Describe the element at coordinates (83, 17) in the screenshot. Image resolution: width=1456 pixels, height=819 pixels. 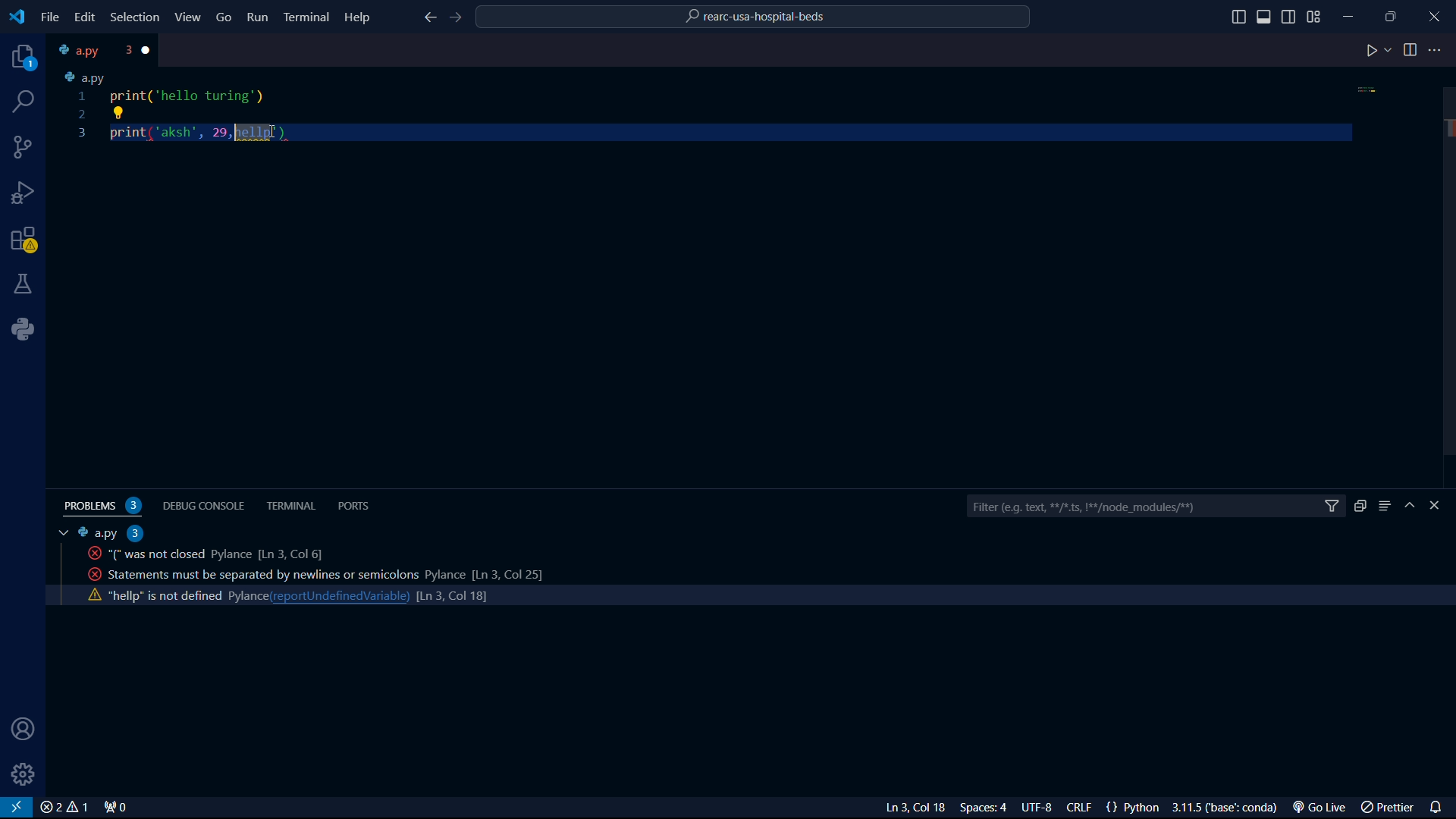
I see `edit` at that location.